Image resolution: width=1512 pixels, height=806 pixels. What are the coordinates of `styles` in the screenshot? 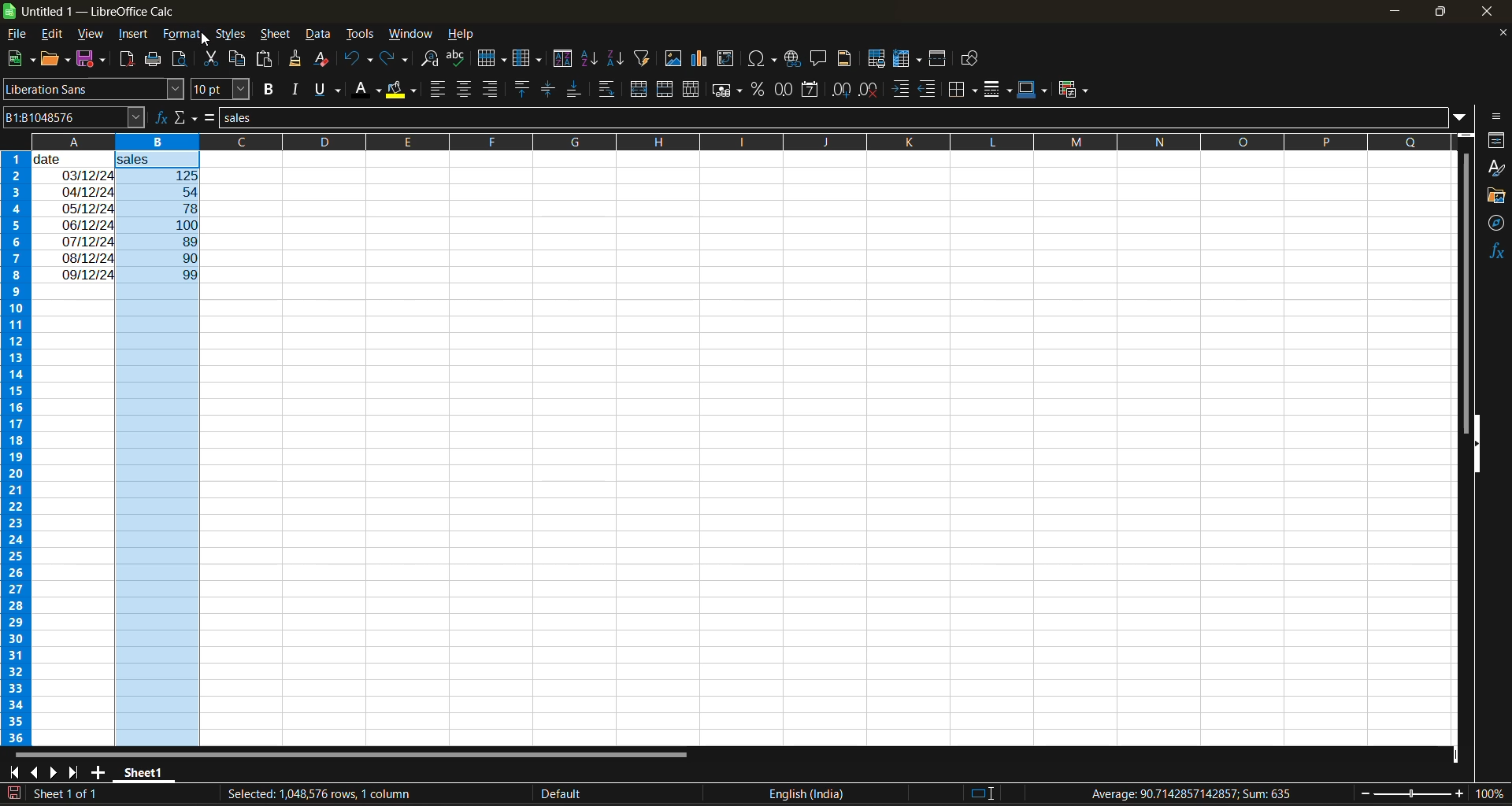 It's located at (231, 35).